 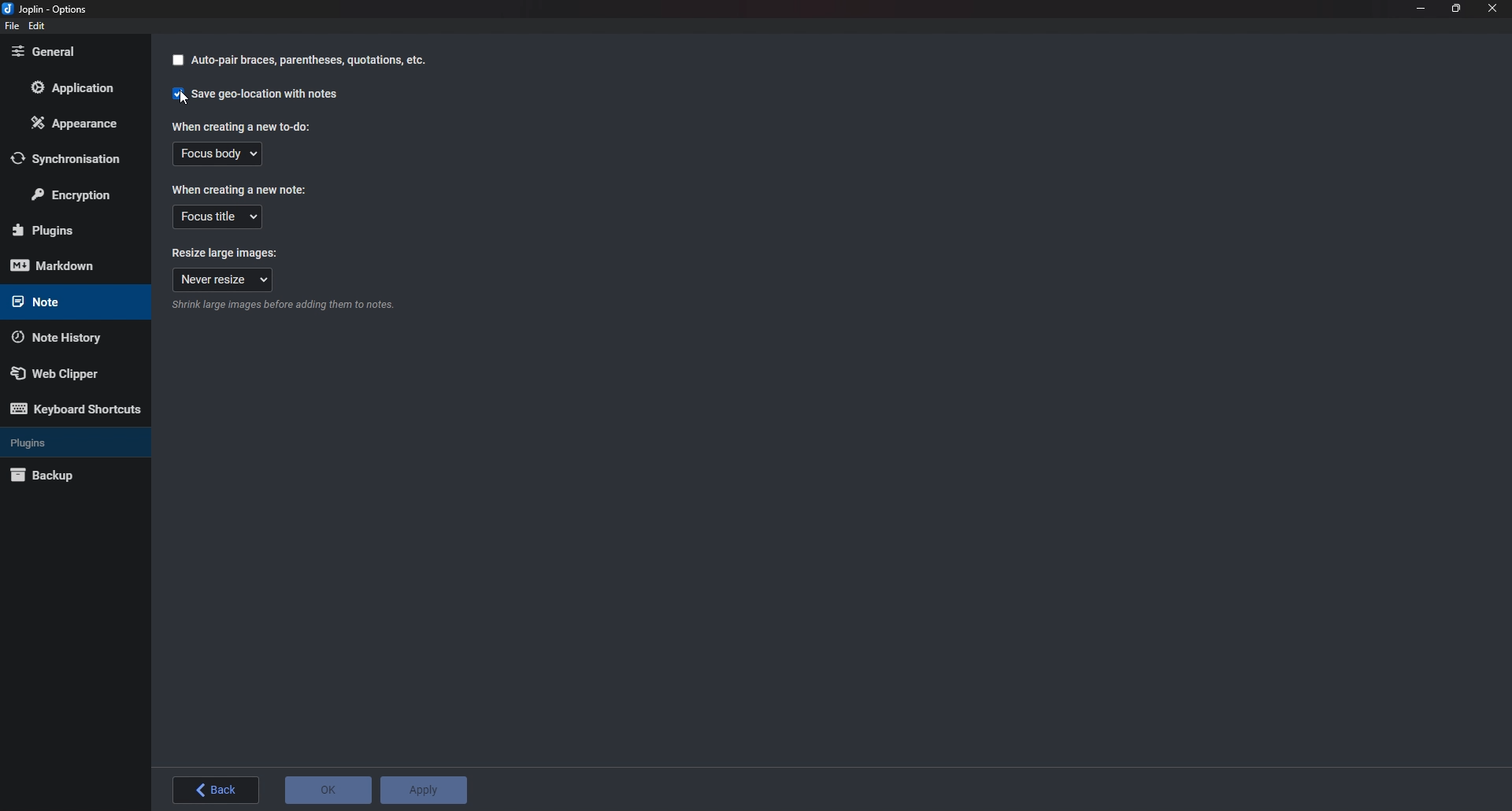 I want to click on Resize large images, so click(x=227, y=254).